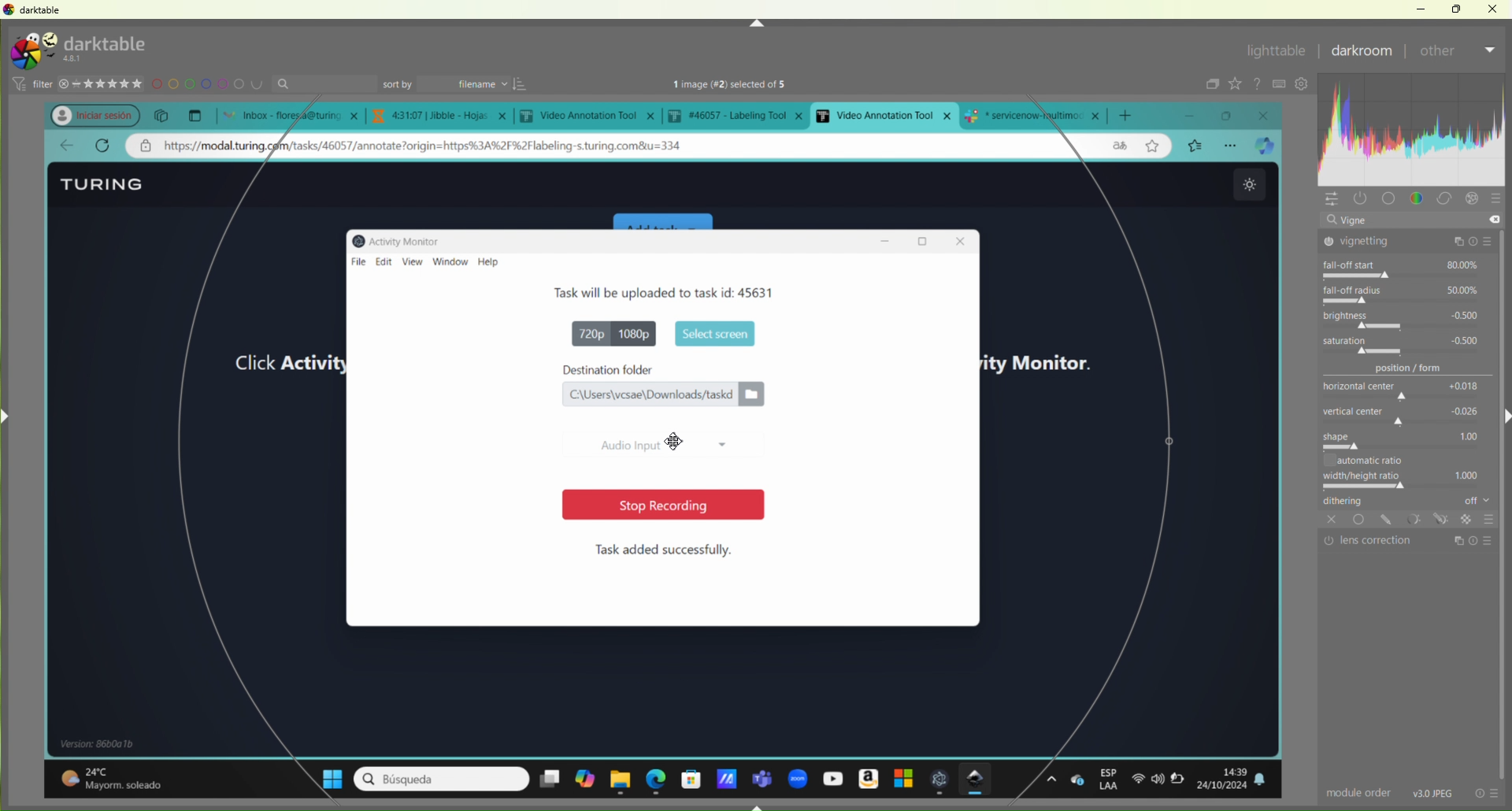 The image size is (1512, 811). What do you see at coordinates (384, 260) in the screenshot?
I see `edit` at bounding box center [384, 260].